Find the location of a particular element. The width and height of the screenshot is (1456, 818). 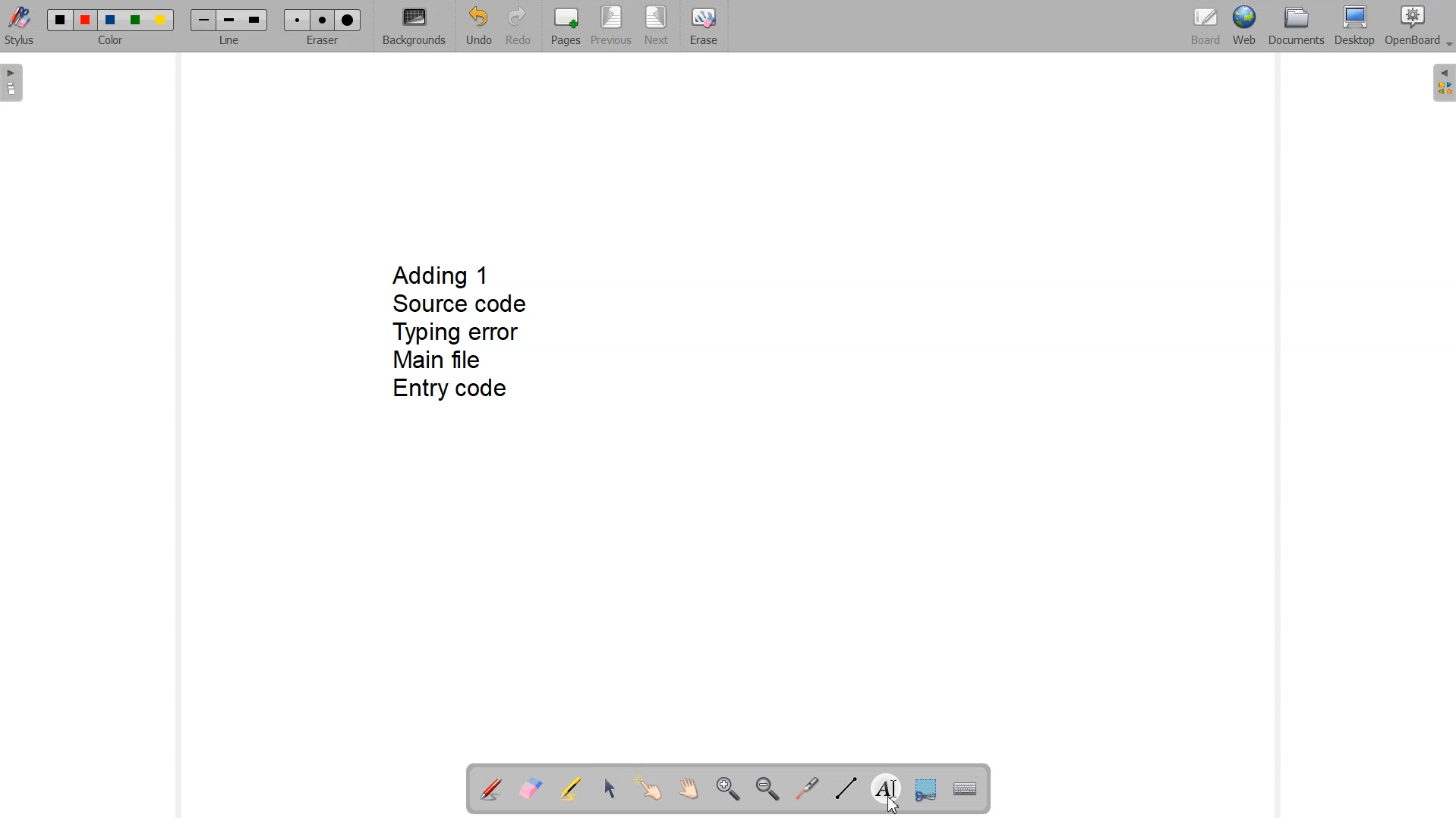

Large eraser is located at coordinates (348, 20).